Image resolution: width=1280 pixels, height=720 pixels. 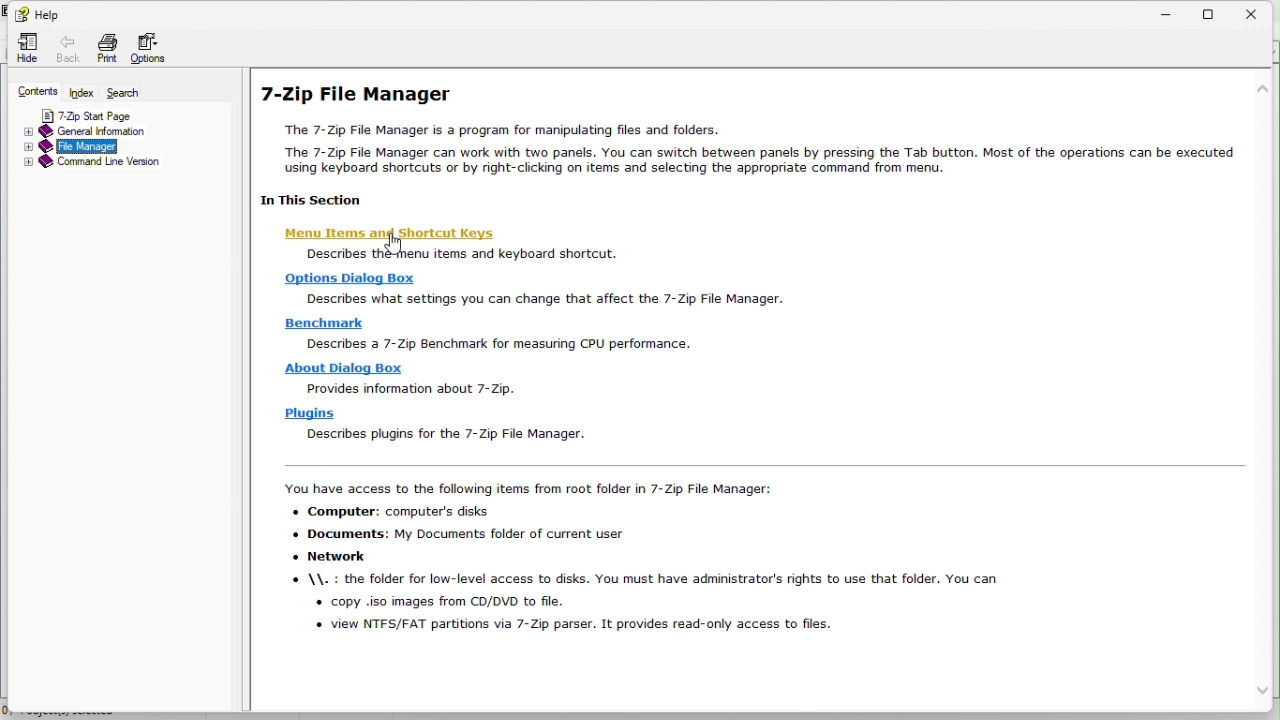 I want to click on Describes what settings you can change that affect the 7-zip File Manager, so click(x=540, y=300).